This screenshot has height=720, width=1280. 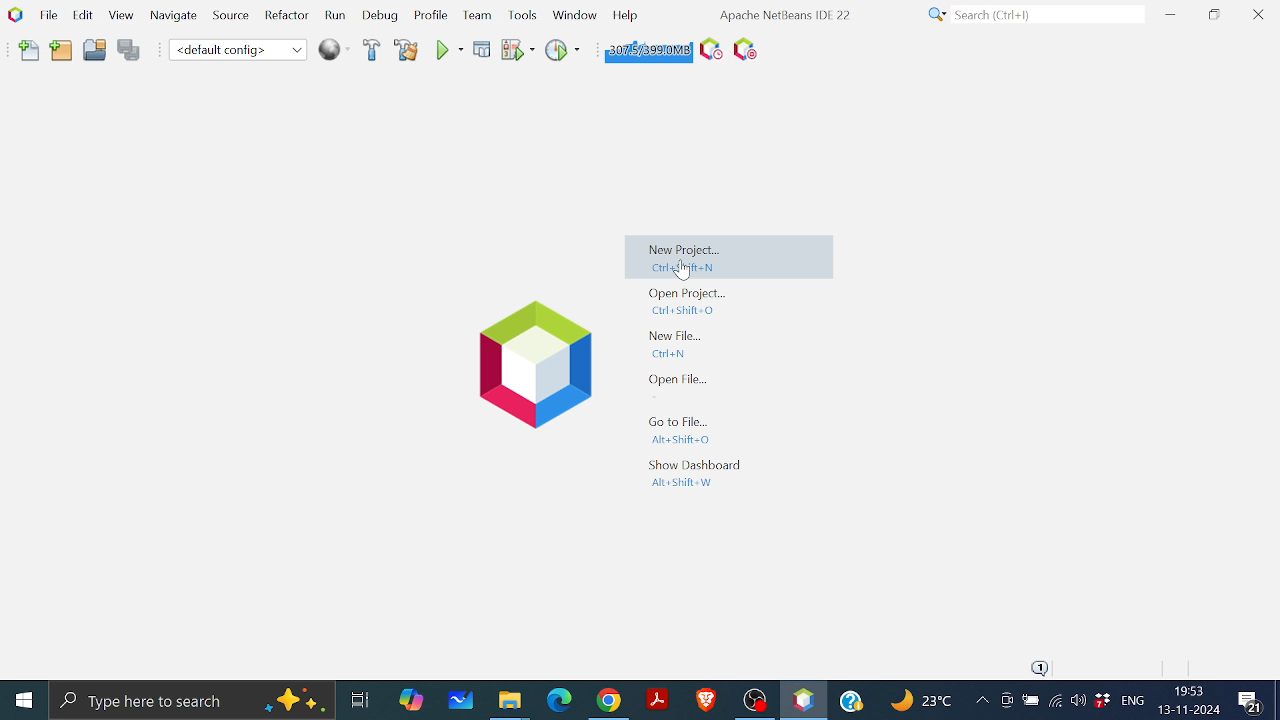 What do you see at coordinates (783, 14) in the screenshot?
I see `software information` at bounding box center [783, 14].